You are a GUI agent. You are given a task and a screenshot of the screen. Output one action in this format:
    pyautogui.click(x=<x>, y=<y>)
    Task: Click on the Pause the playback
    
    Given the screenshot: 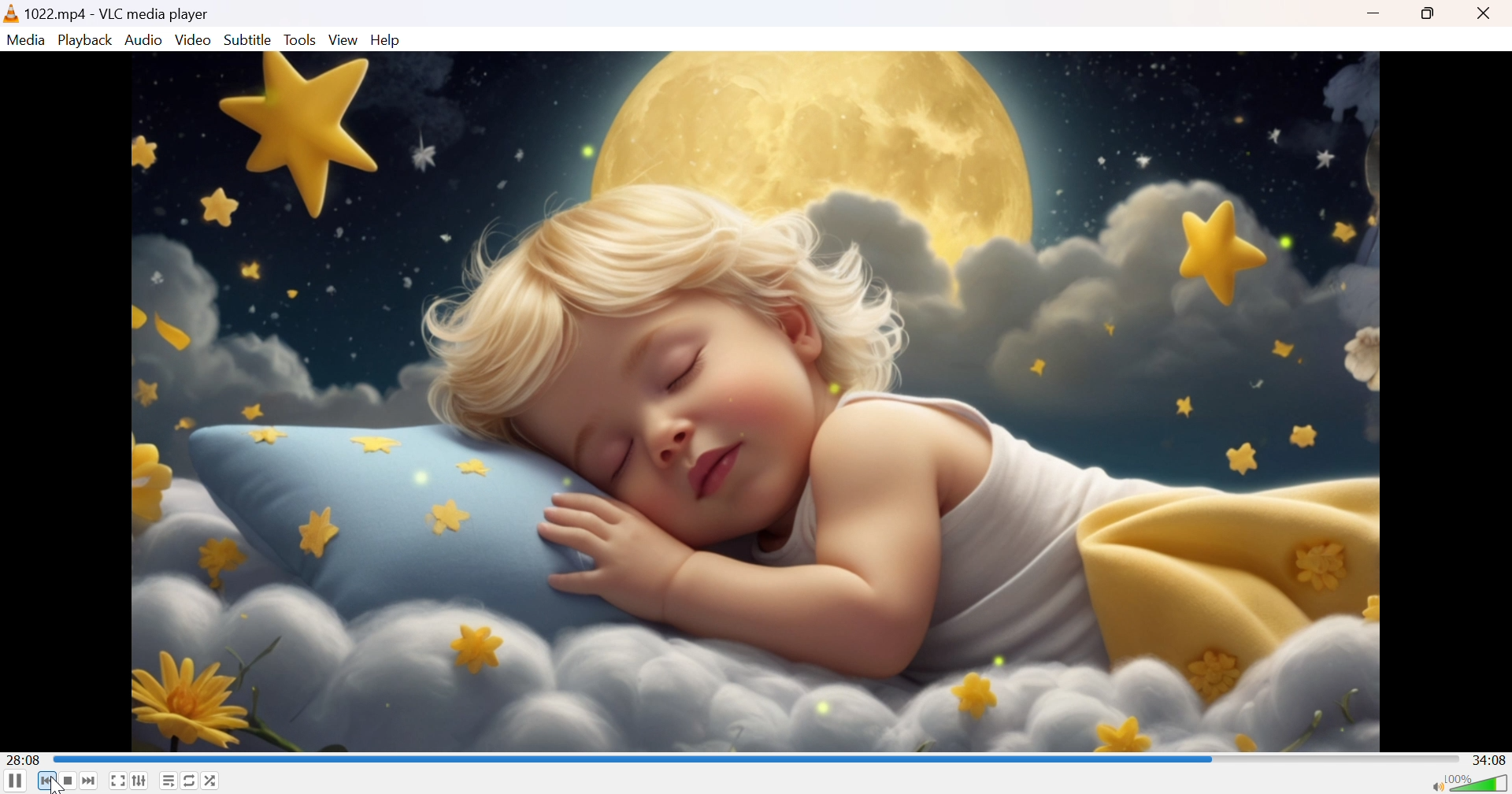 What is the action you would take?
    pyautogui.click(x=15, y=781)
    